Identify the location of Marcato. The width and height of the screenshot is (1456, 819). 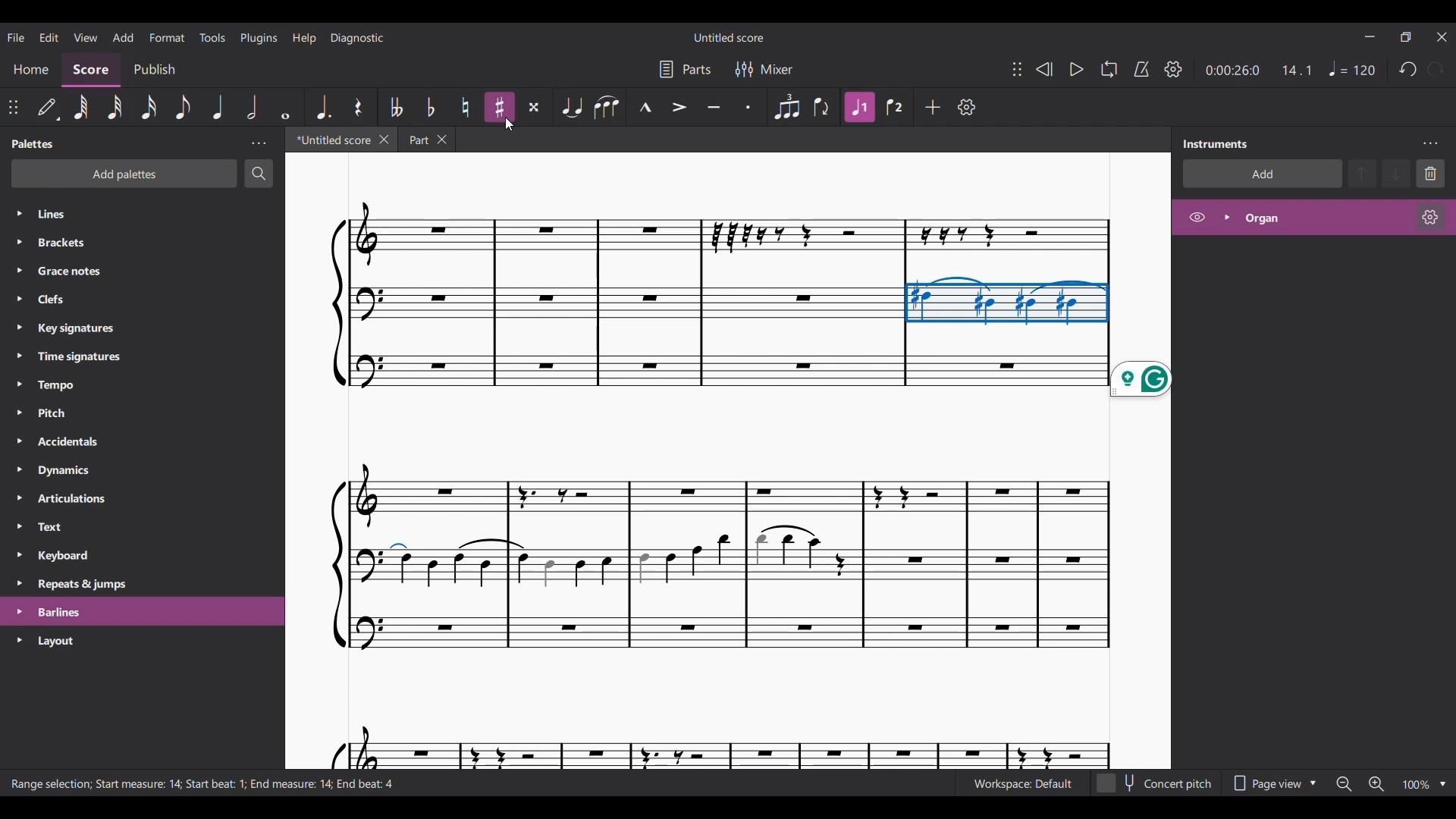
(645, 107).